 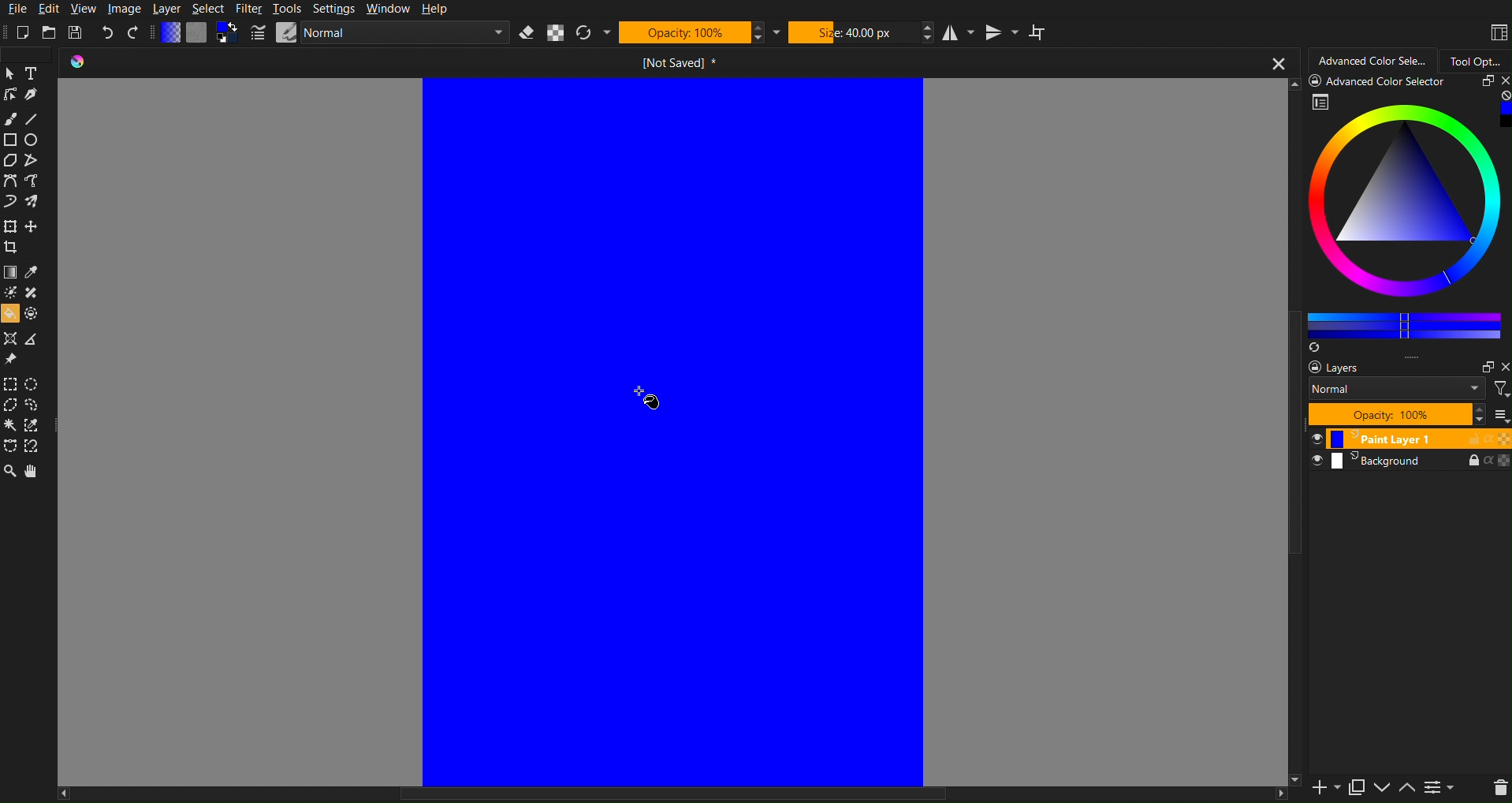 I want to click on Tool Option Selector, so click(x=1482, y=58).